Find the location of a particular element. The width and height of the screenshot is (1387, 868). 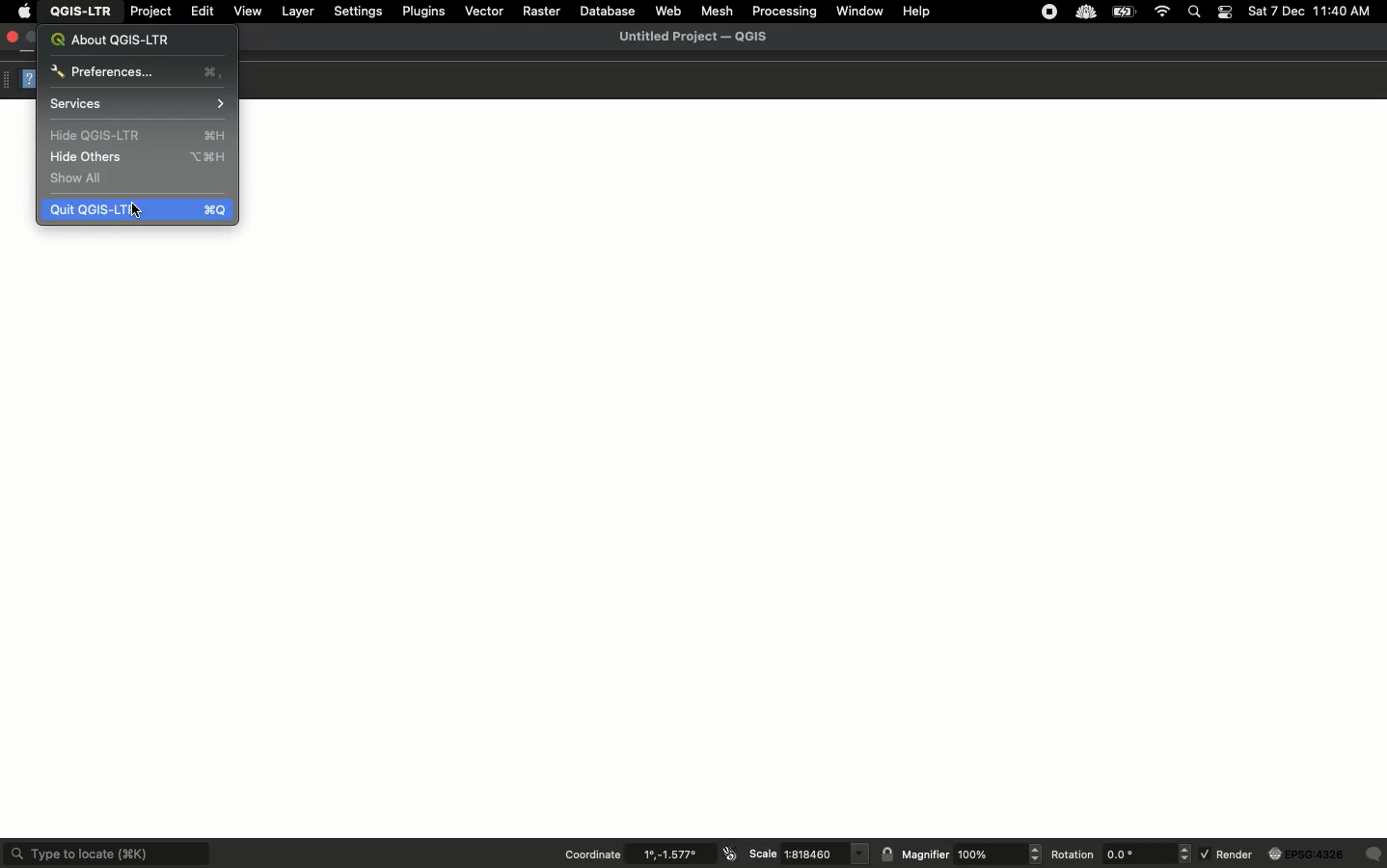

Services is located at coordinates (138, 104).